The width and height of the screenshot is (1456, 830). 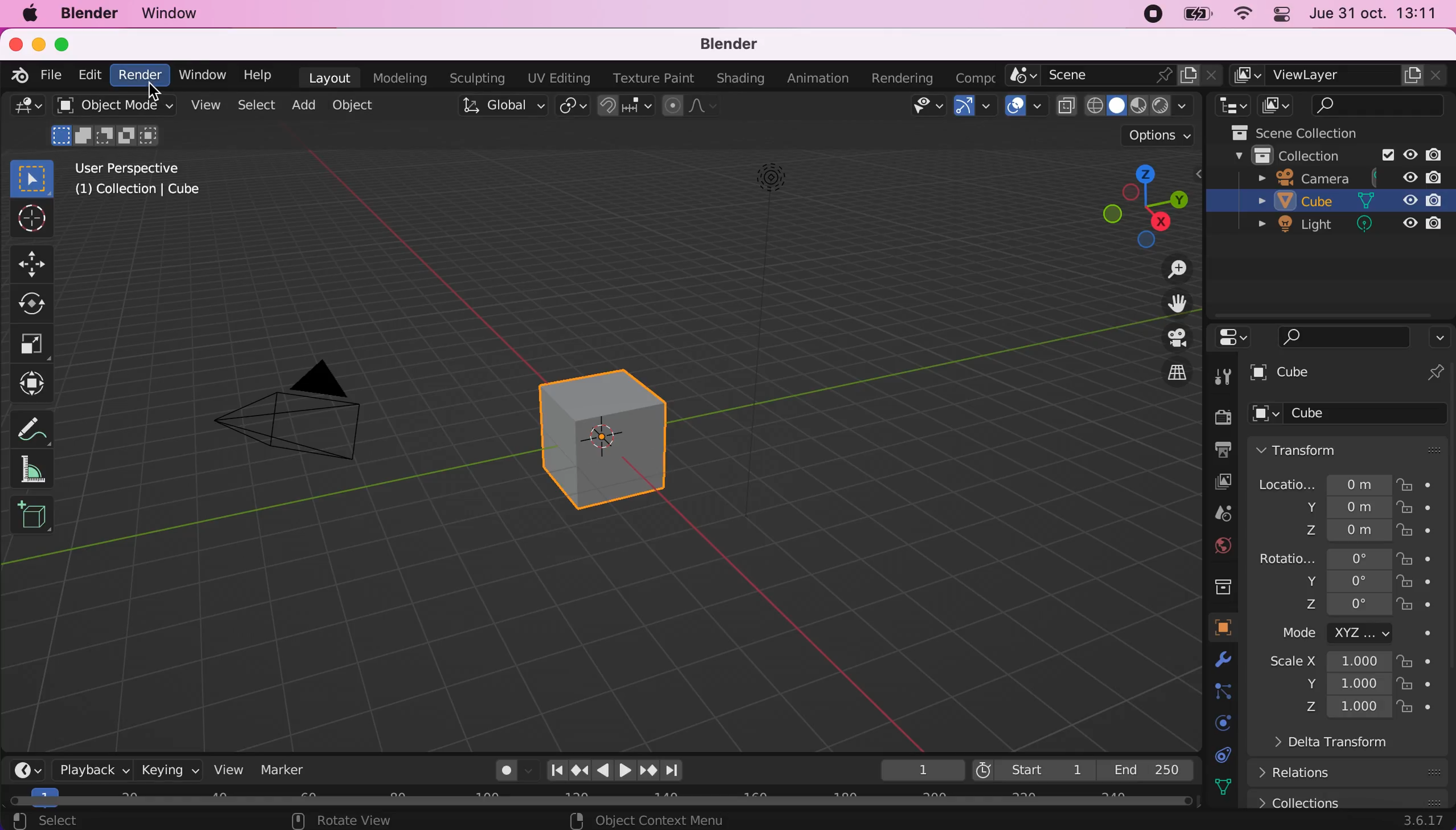 I want to click on shading, so click(x=740, y=79).